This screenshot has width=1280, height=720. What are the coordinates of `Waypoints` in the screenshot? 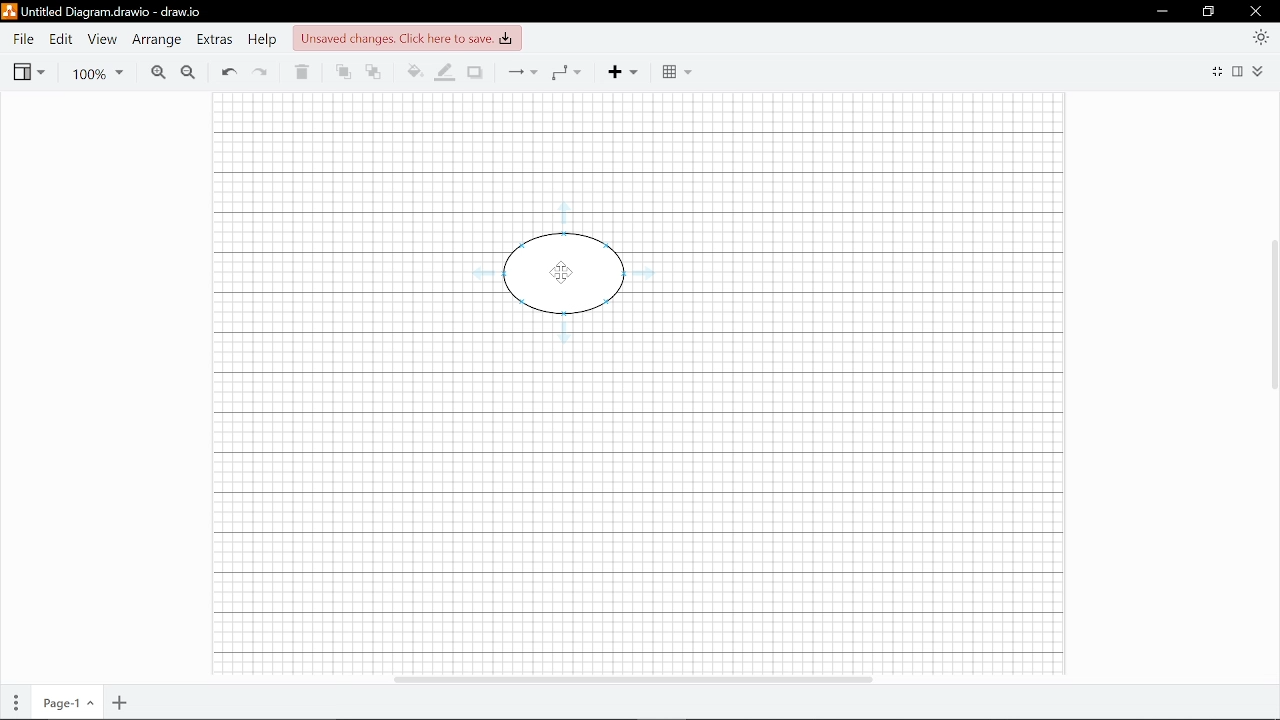 It's located at (566, 72).